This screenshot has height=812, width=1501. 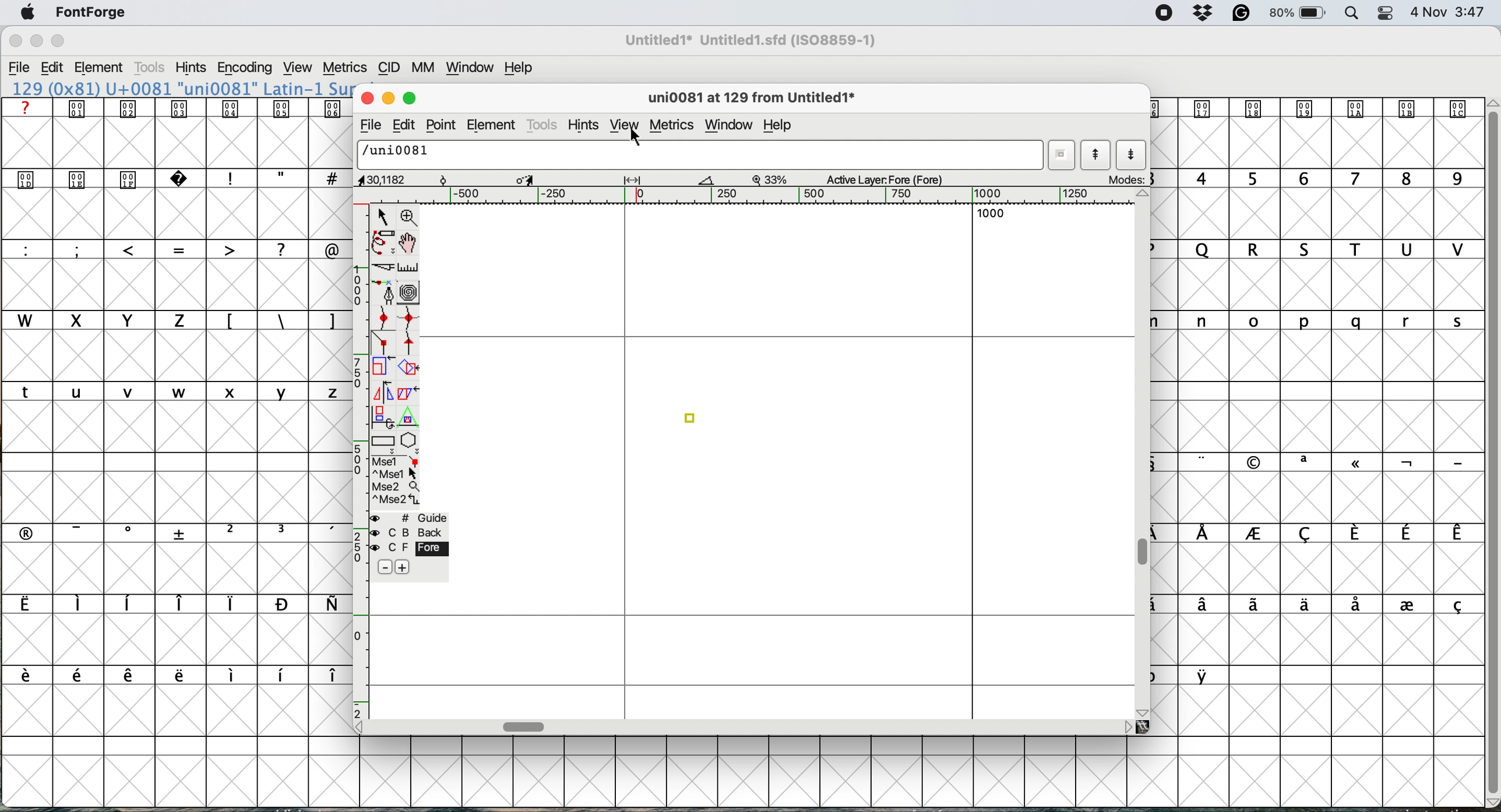 I want to click on C F Fore, so click(x=413, y=549).